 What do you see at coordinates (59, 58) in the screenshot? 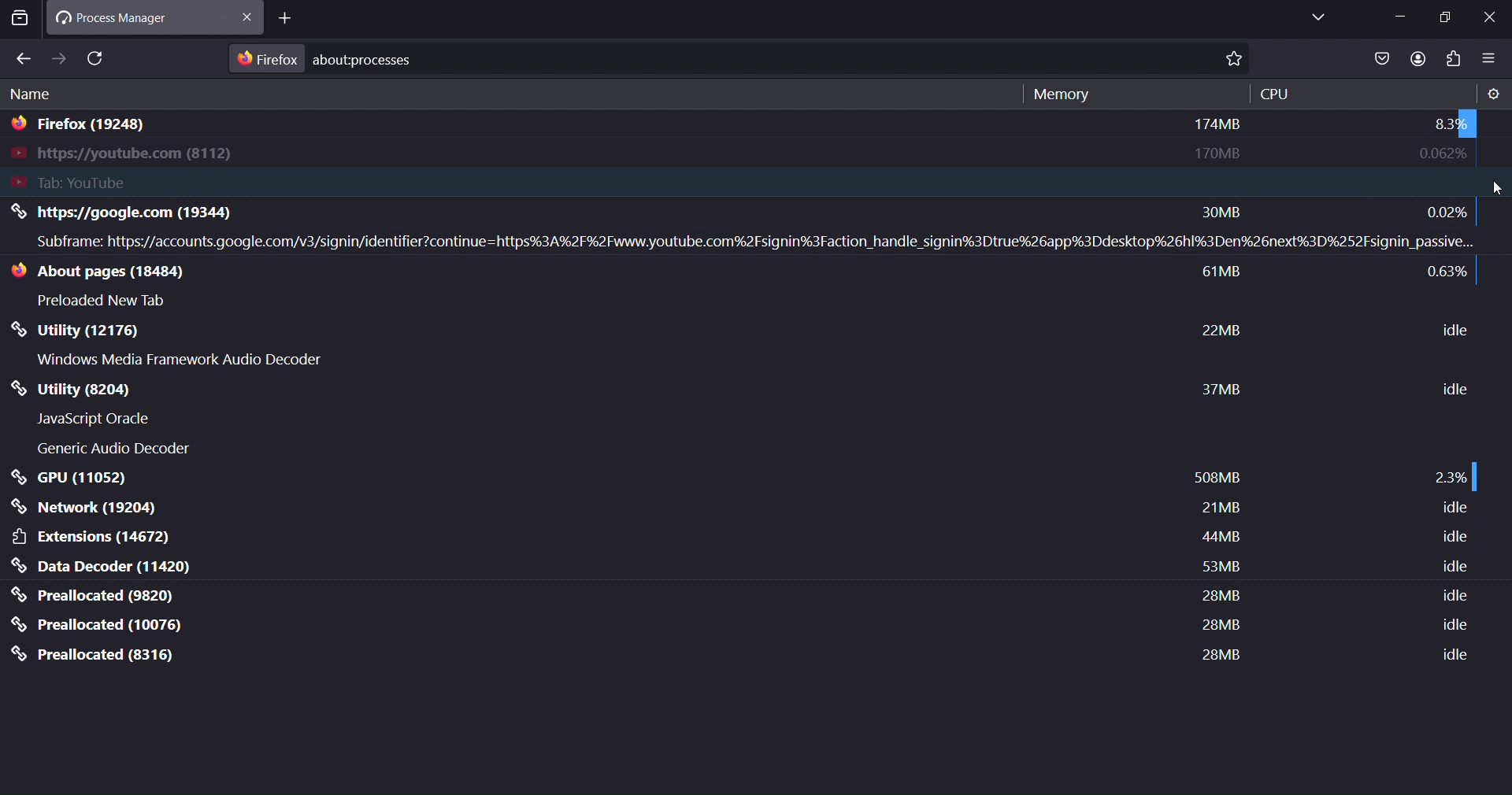
I see `go forward one page` at bounding box center [59, 58].